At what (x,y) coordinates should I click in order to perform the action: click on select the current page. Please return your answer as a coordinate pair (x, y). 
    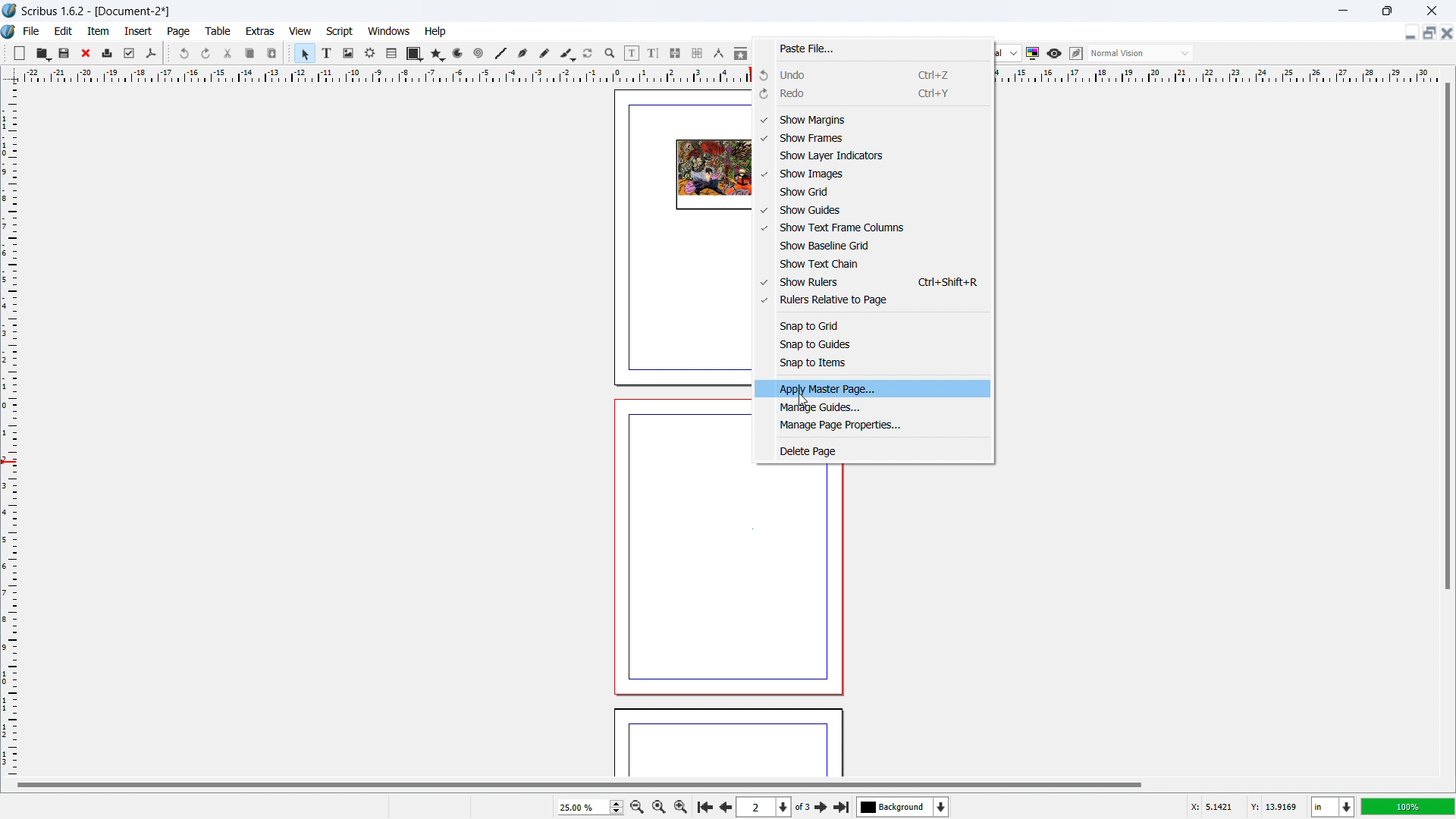
    Looking at the image, I should click on (764, 808).